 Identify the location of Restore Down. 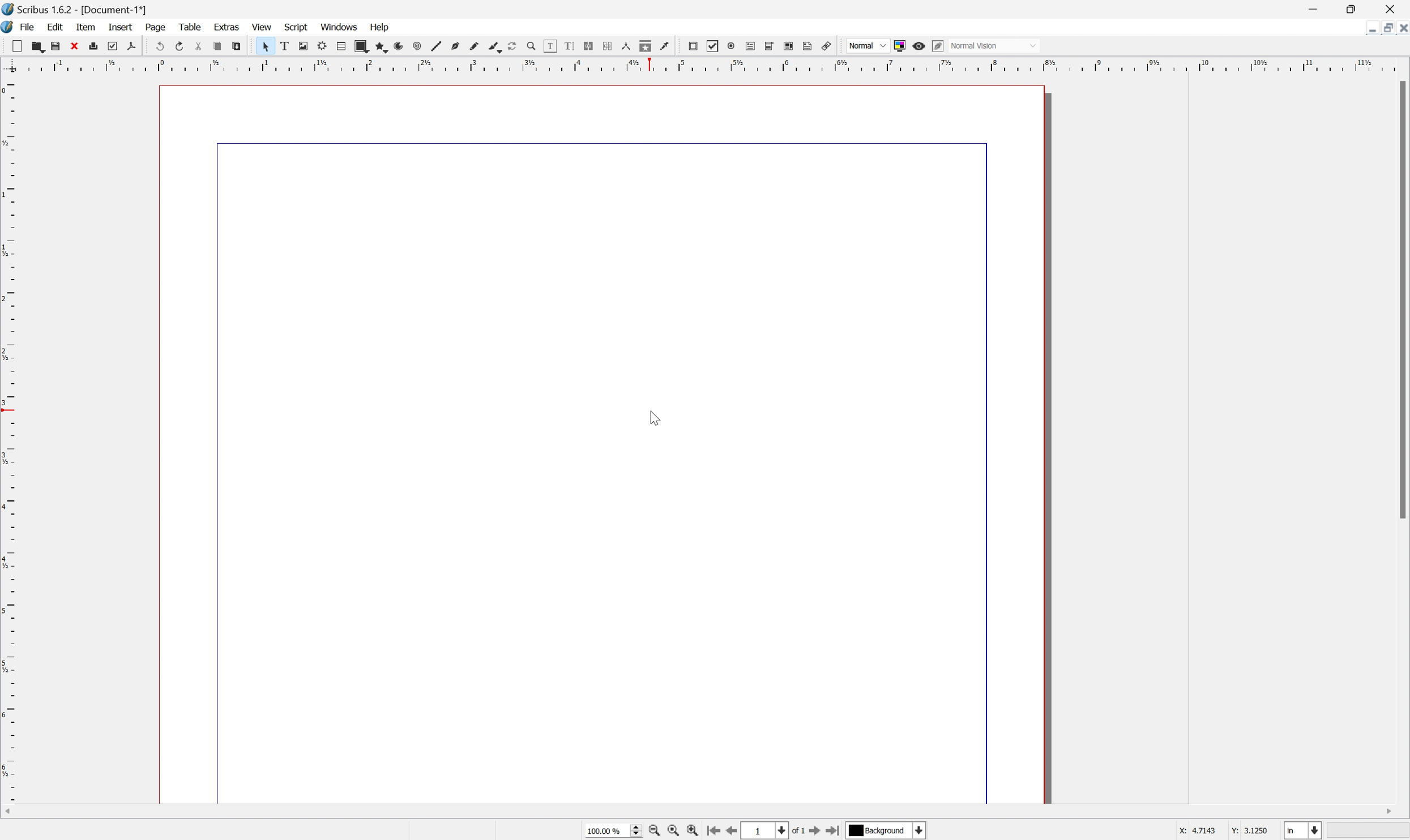
(1386, 29).